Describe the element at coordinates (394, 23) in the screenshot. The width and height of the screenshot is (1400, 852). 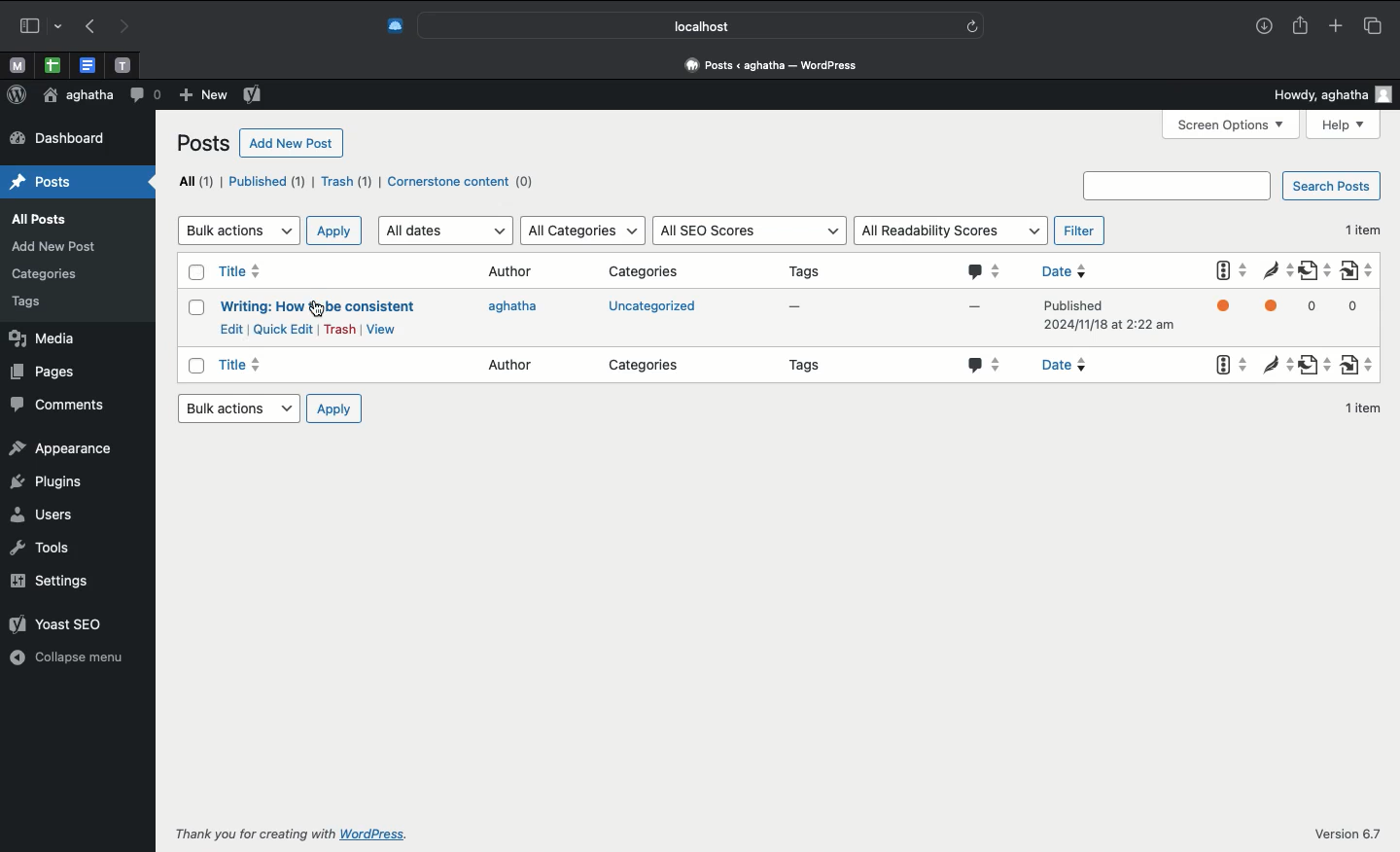
I see `Extensions` at that location.